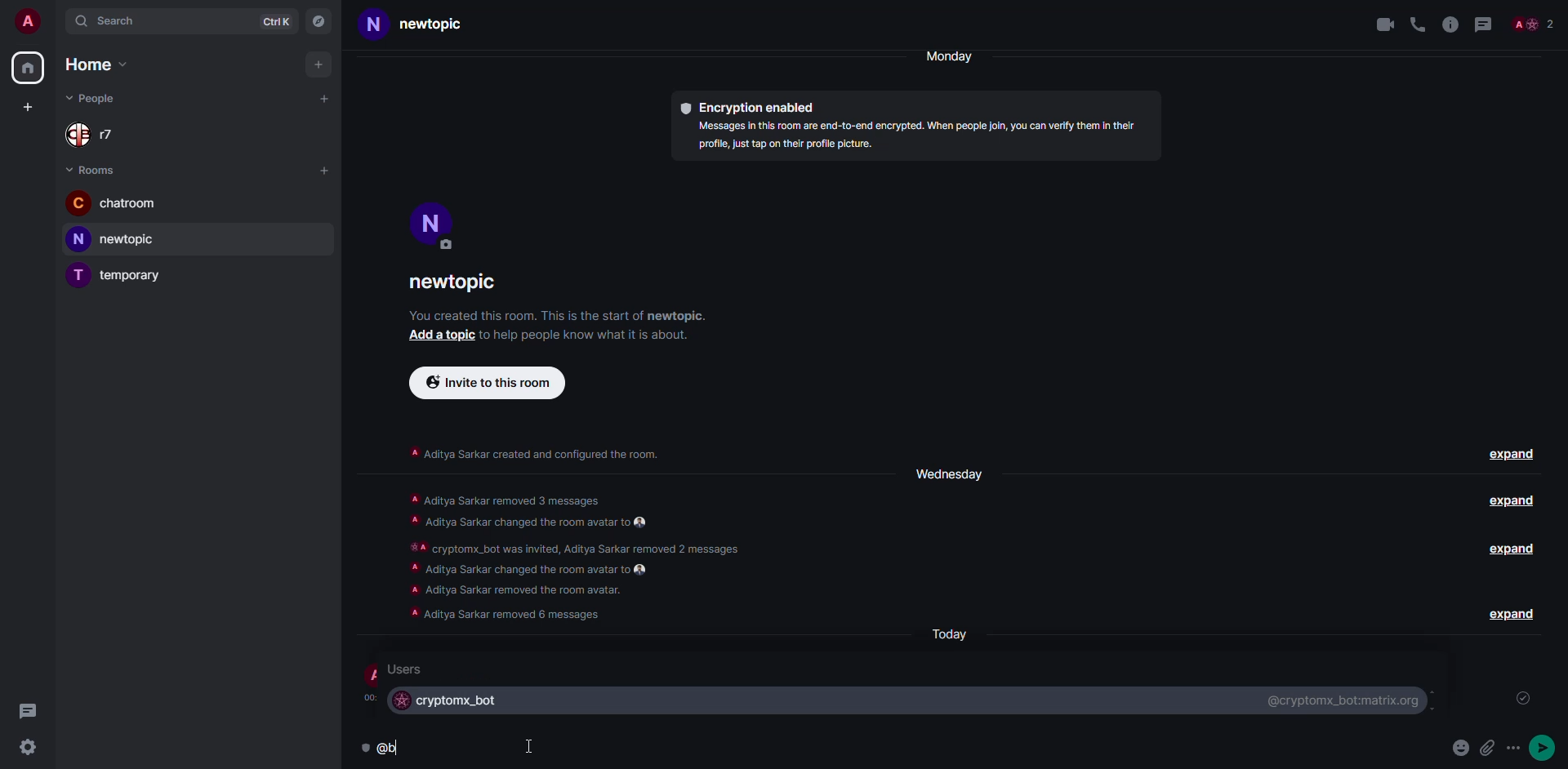 Image resolution: width=1568 pixels, height=769 pixels. What do you see at coordinates (1515, 502) in the screenshot?
I see `expand` at bounding box center [1515, 502].